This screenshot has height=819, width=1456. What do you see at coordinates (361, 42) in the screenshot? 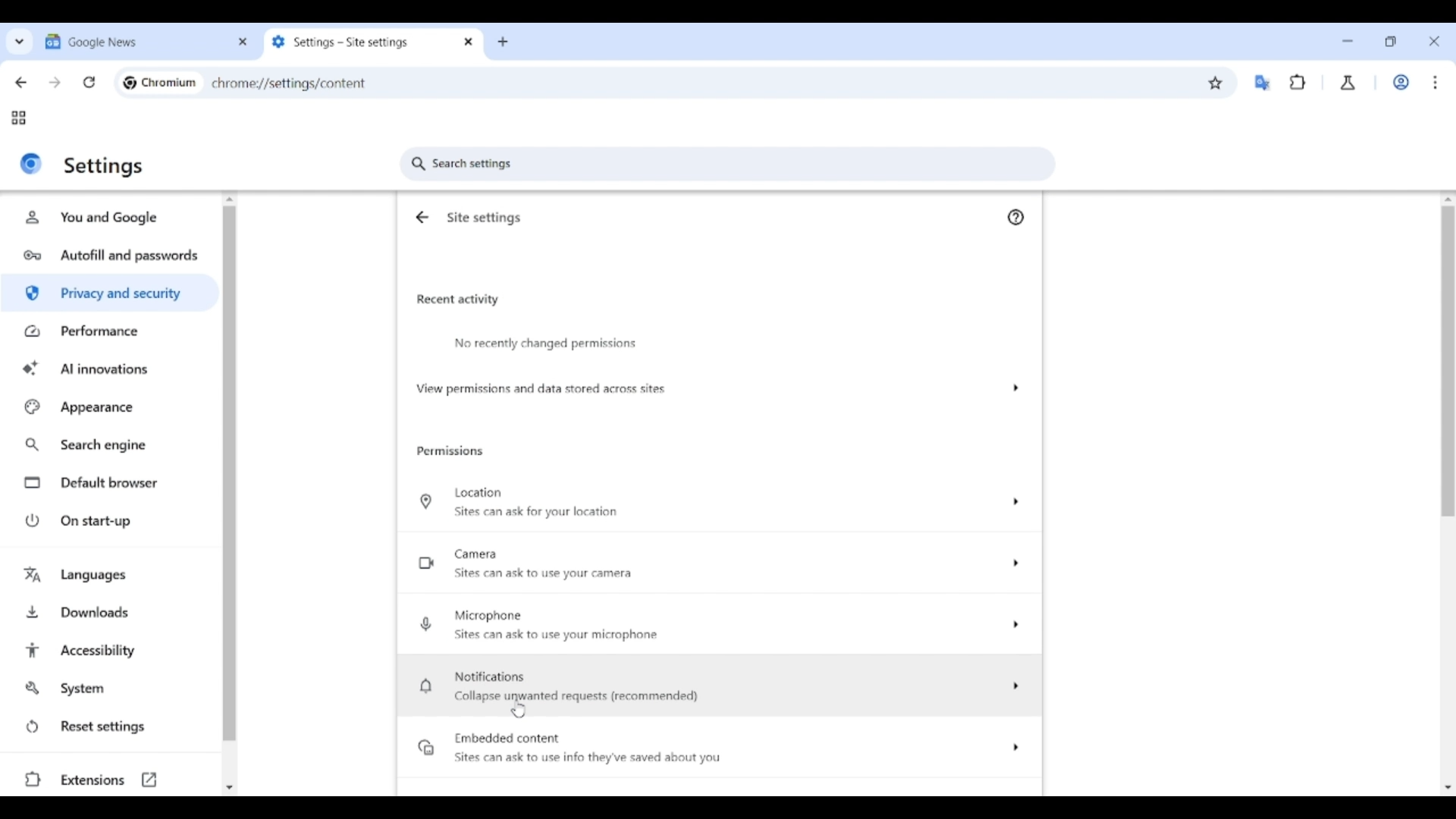
I see `Tab 2 changed` at bounding box center [361, 42].